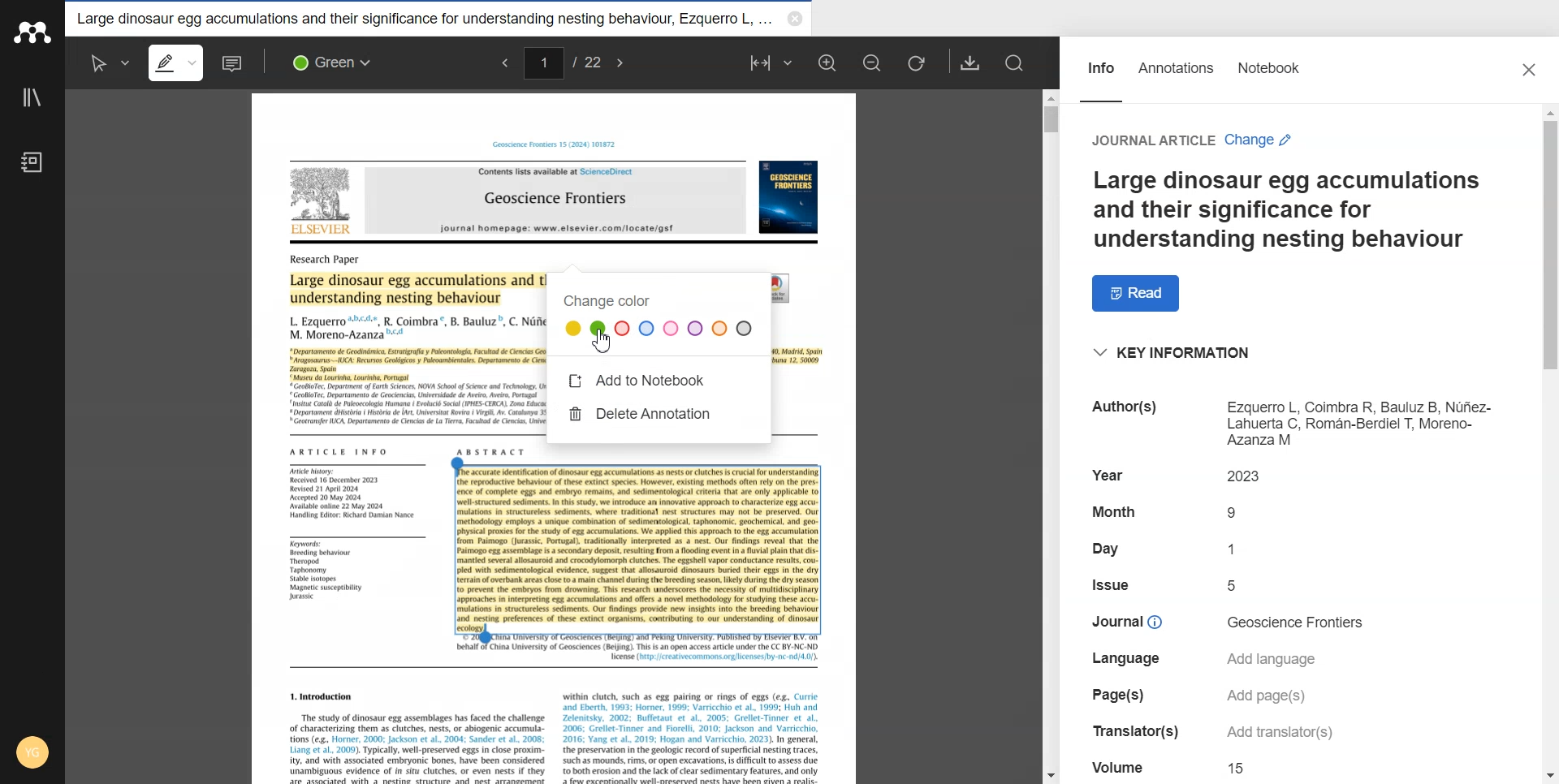 This screenshot has width=1559, height=784. Describe the element at coordinates (1122, 621) in the screenshot. I see `text` at that location.